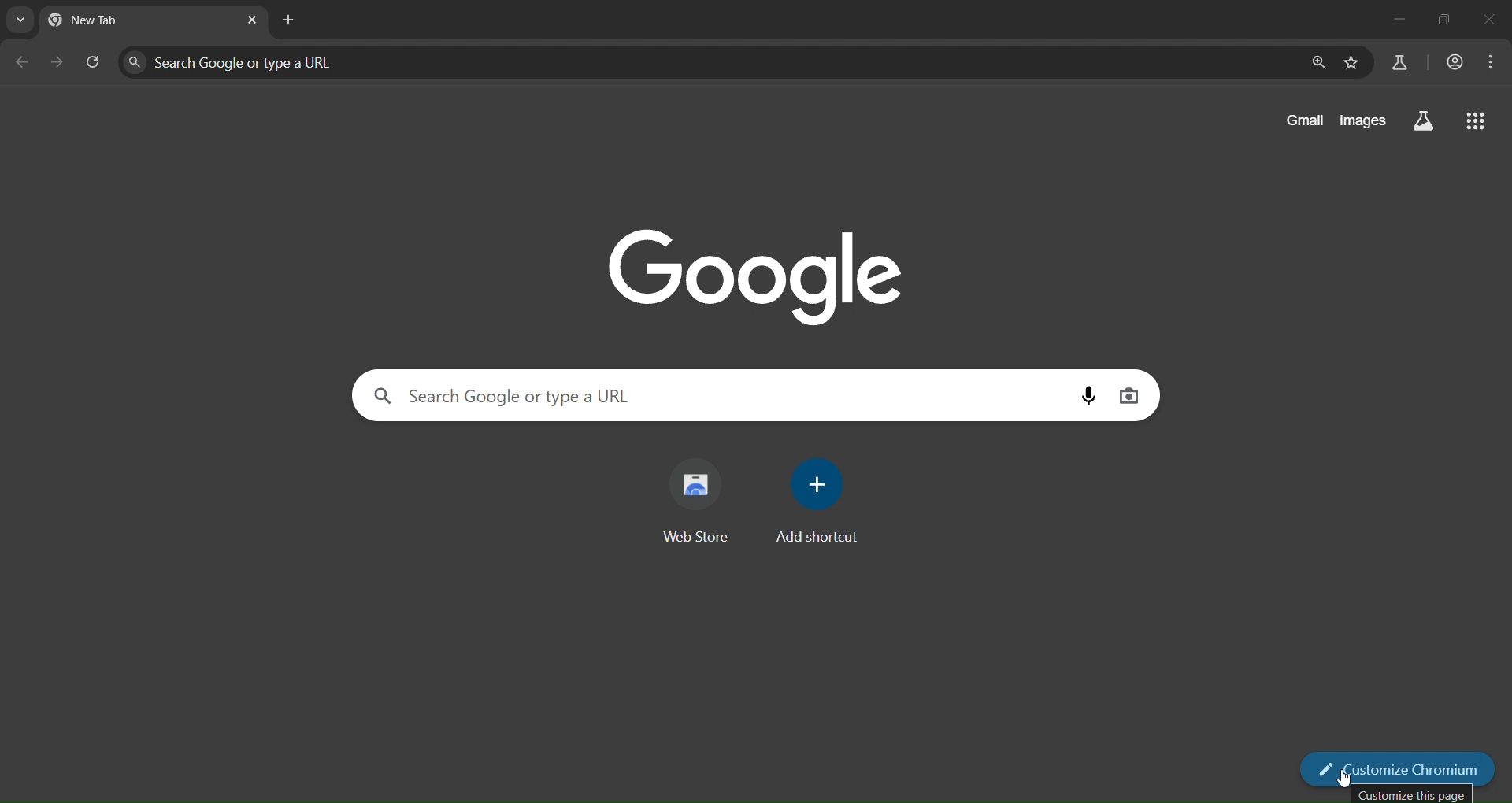 This screenshot has height=803, width=1512. I want to click on google apps, so click(1475, 122).